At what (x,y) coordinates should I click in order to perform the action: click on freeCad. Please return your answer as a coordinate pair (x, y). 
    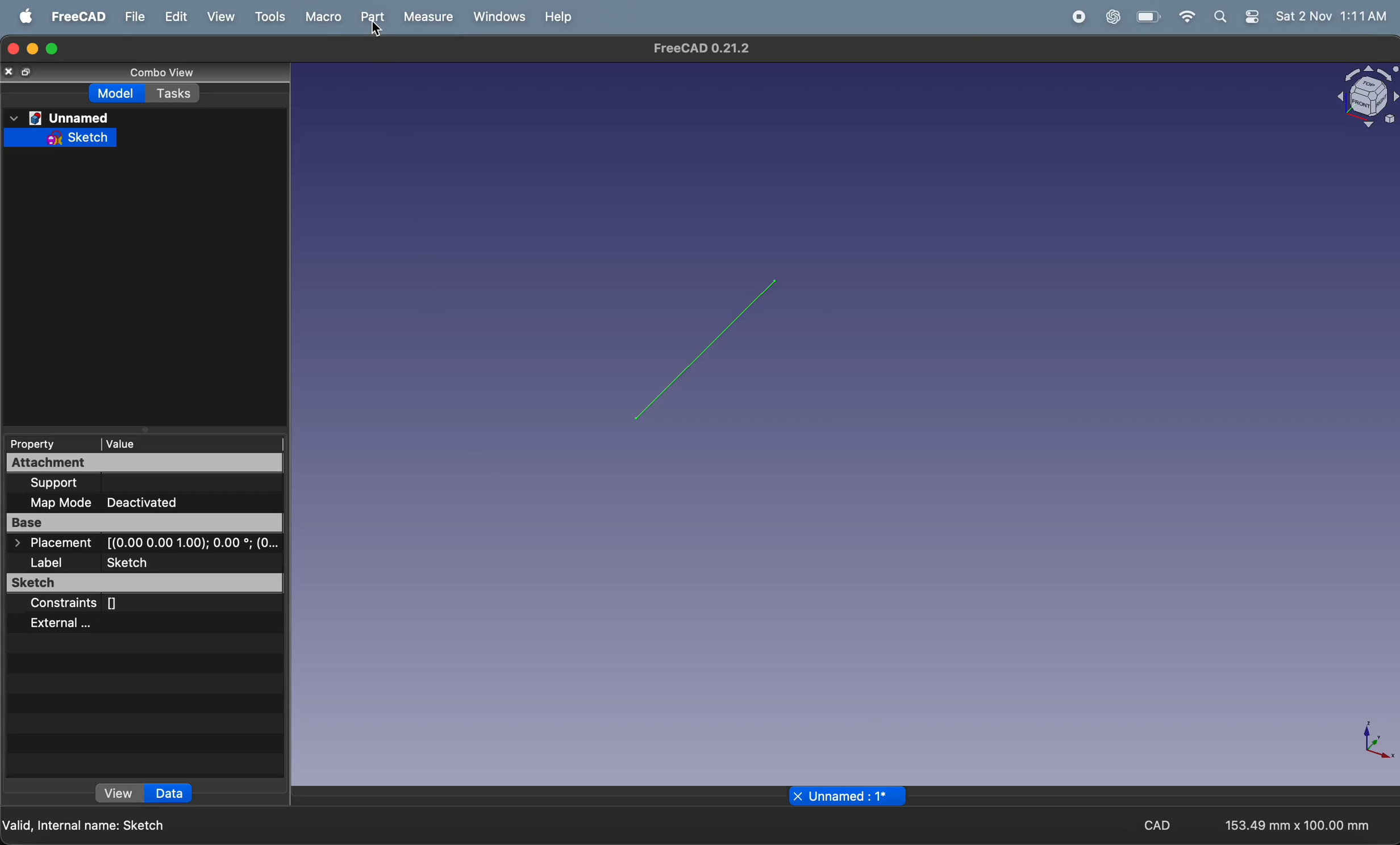
    Looking at the image, I should click on (74, 18).